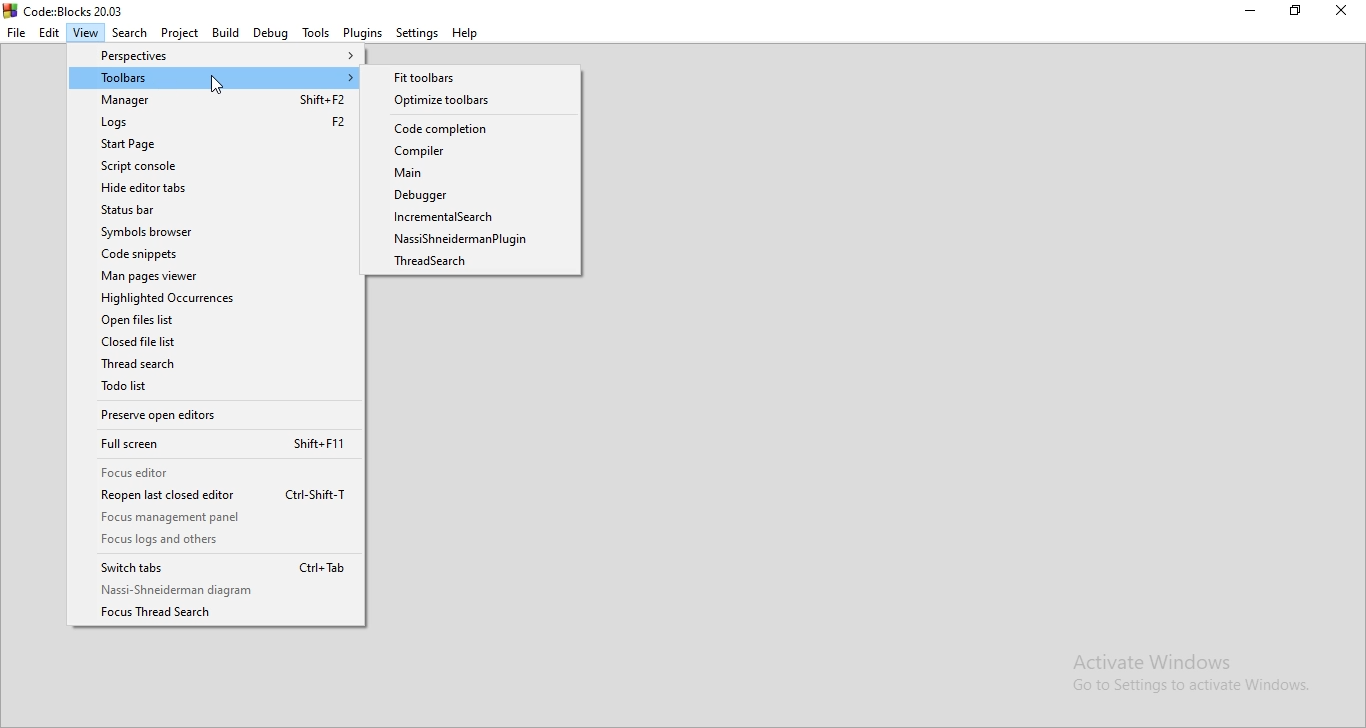 This screenshot has width=1366, height=728. I want to click on Activate Windows, so click(1153, 662).